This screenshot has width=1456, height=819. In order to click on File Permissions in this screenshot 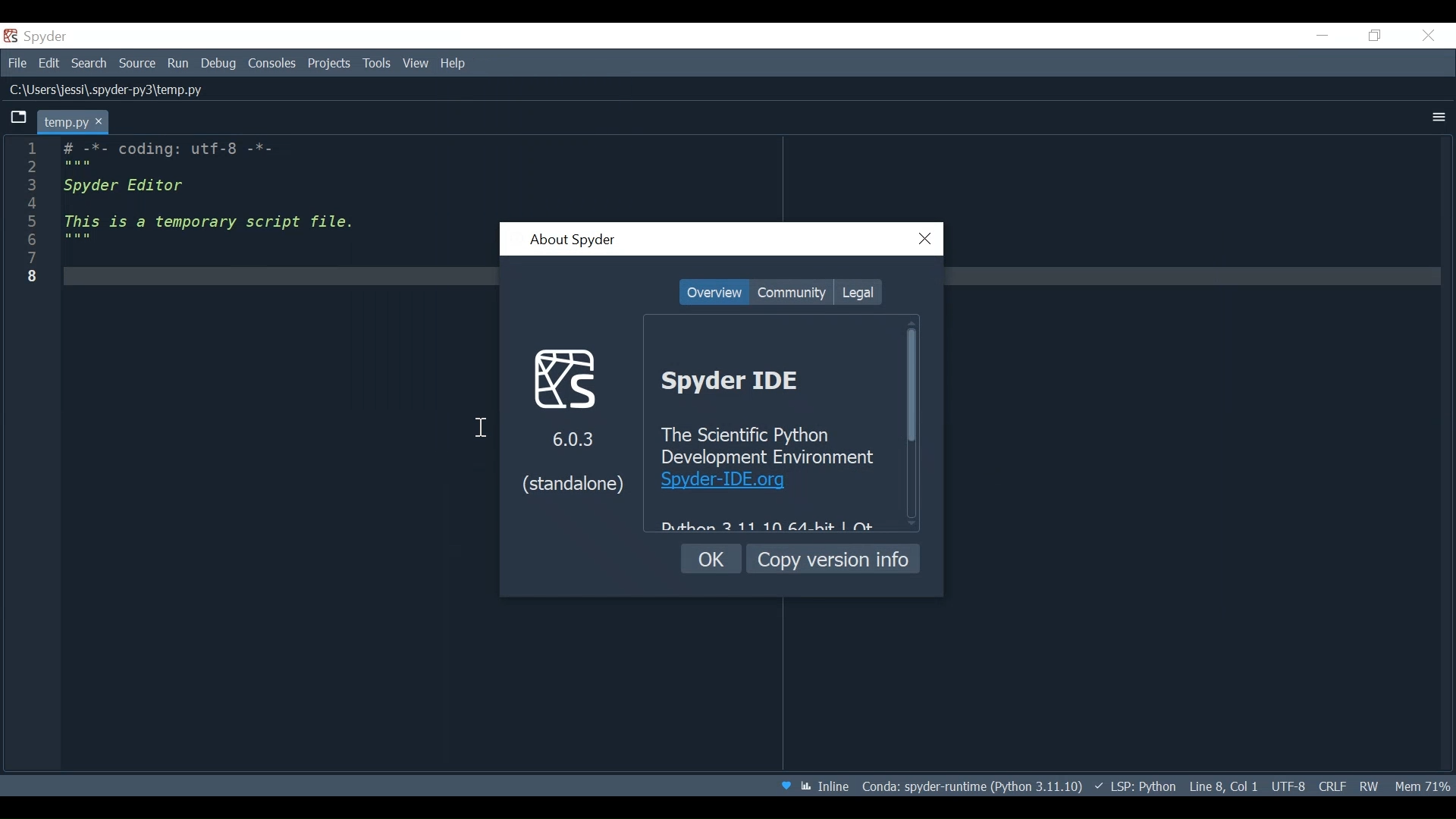, I will do `click(1369, 786)`.